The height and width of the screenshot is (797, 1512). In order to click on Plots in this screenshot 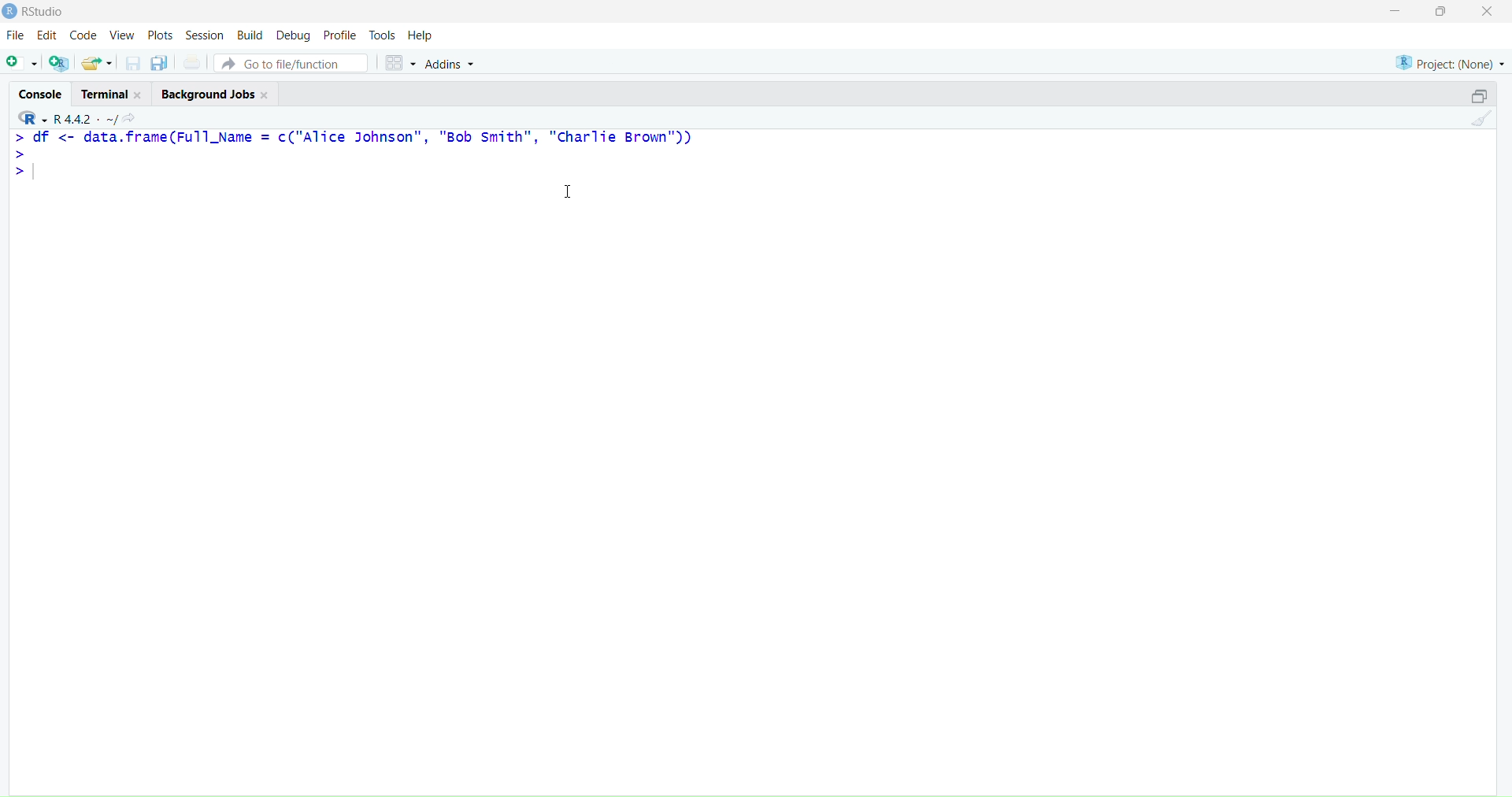, I will do `click(163, 35)`.